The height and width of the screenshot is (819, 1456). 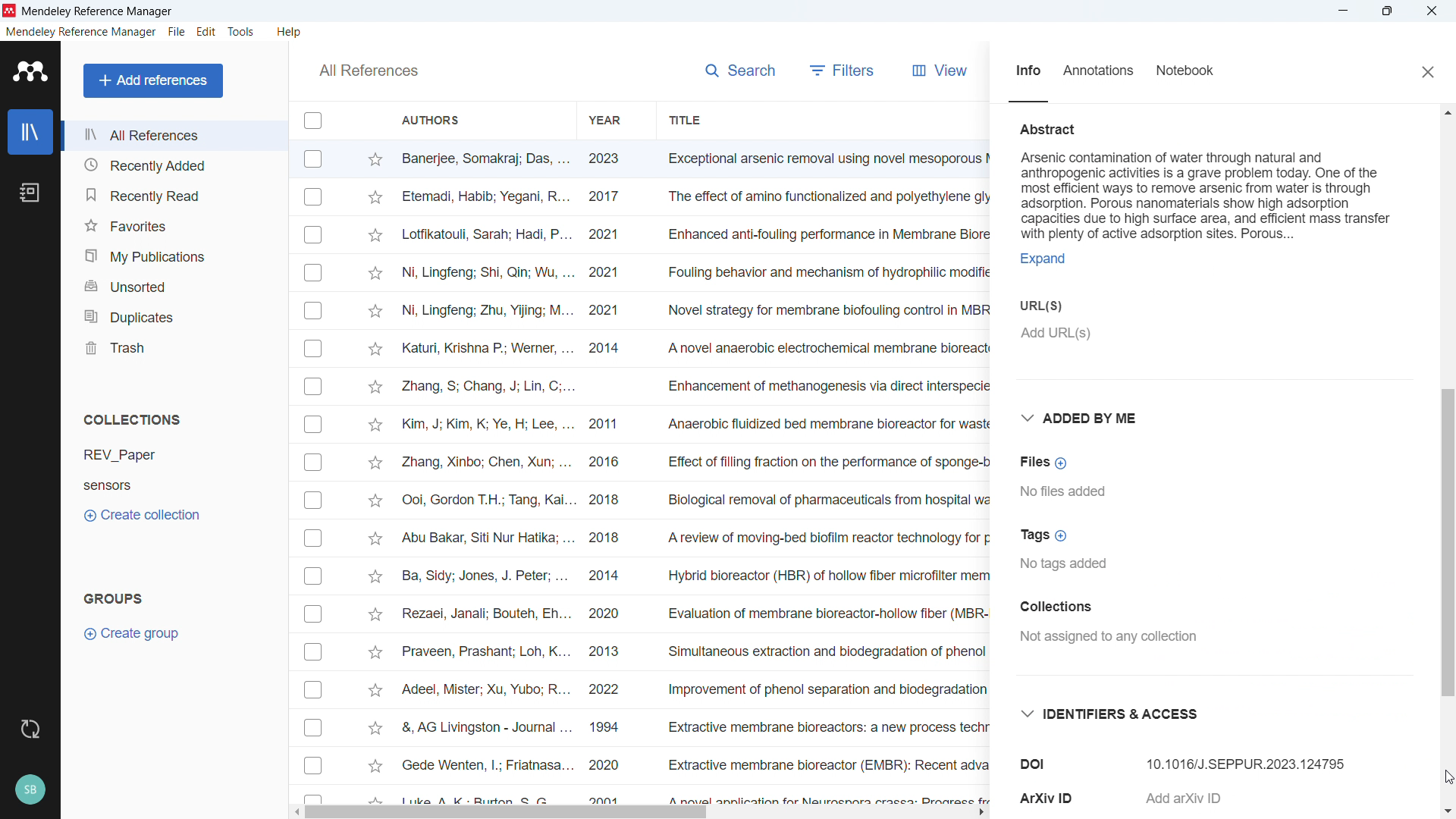 What do you see at coordinates (291, 32) in the screenshot?
I see `help ` at bounding box center [291, 32].